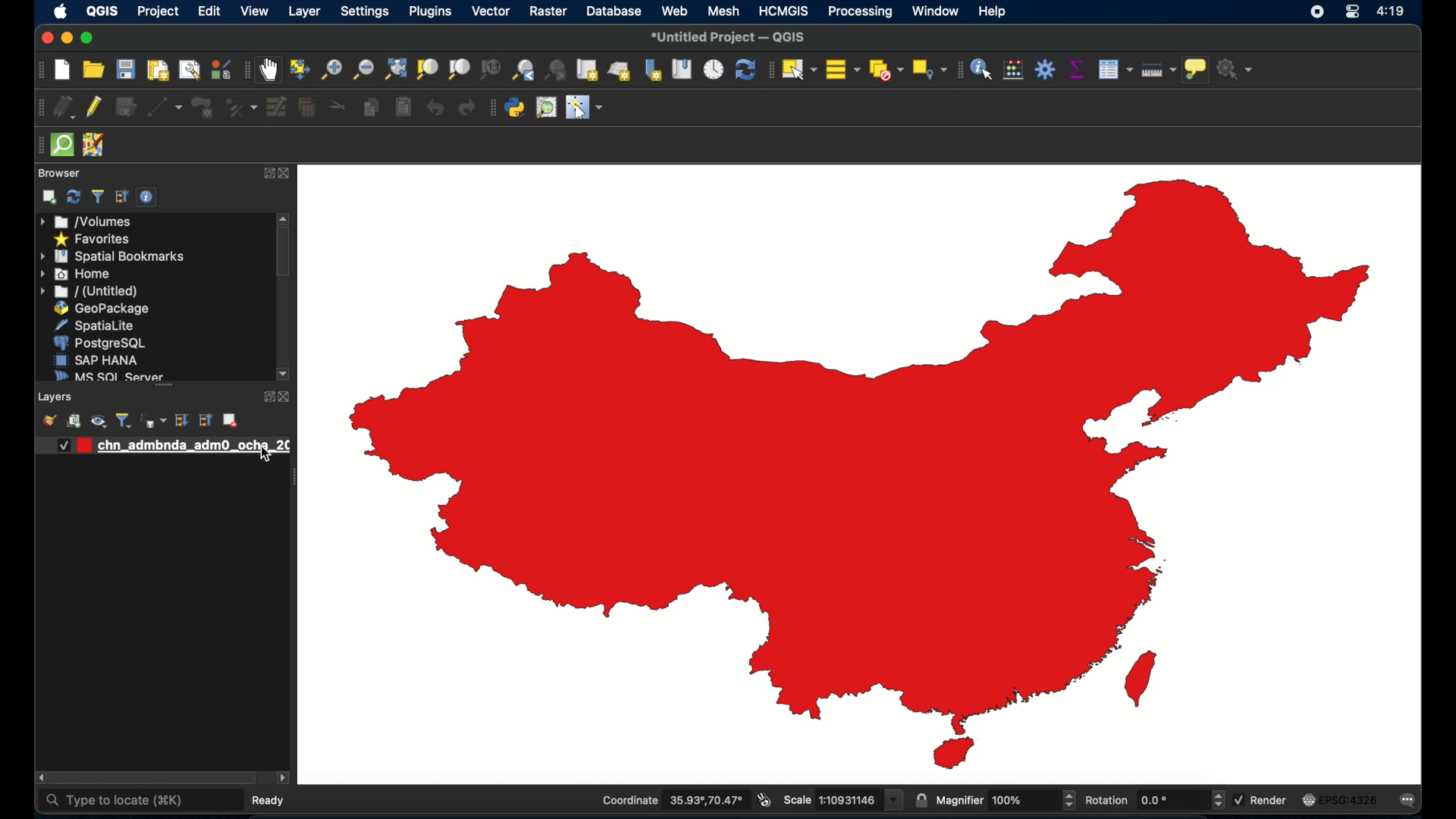 The height and width of the screenshot is (819, 1456). Describe the element at coordinates (102, 13) in the screenshot. I see `QGIS` at that location.